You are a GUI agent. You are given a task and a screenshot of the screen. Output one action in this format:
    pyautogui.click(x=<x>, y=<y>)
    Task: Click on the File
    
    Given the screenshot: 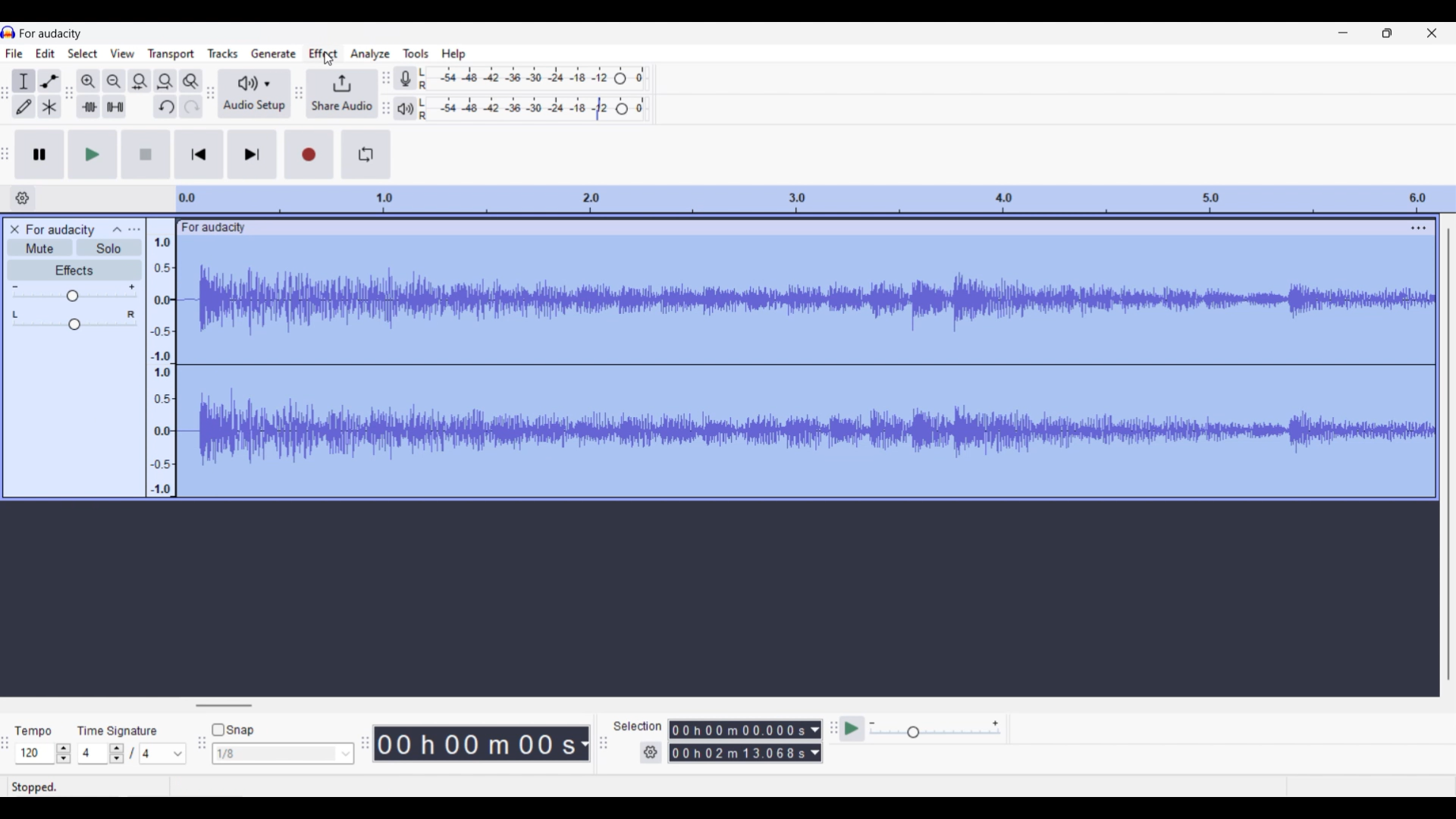 What is the action you would take?
    pyautogui.click(x=14, y=53)
    